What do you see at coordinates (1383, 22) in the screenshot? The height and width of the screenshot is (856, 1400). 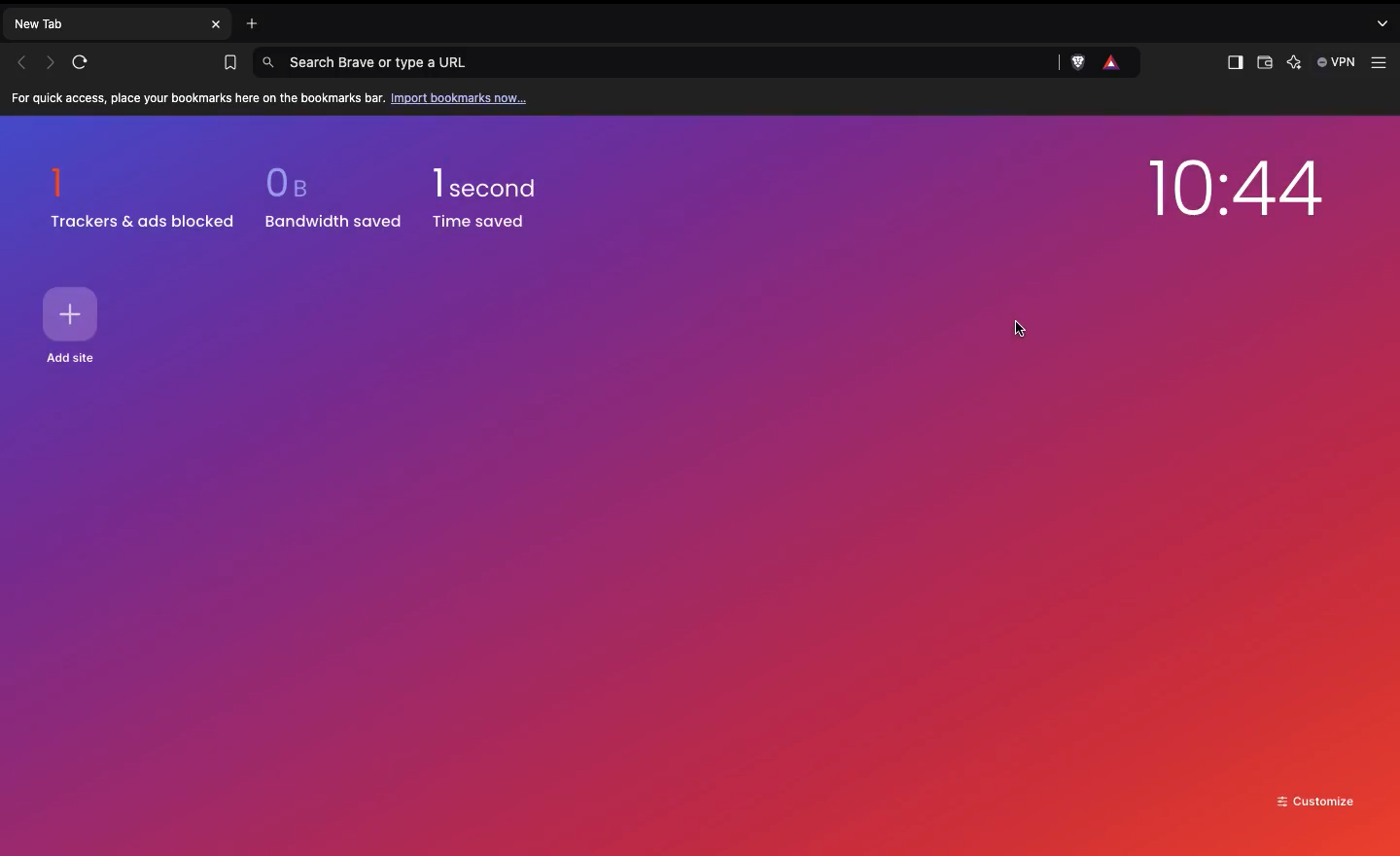 I see `Search tabs` at bounding box center [1383, 22].